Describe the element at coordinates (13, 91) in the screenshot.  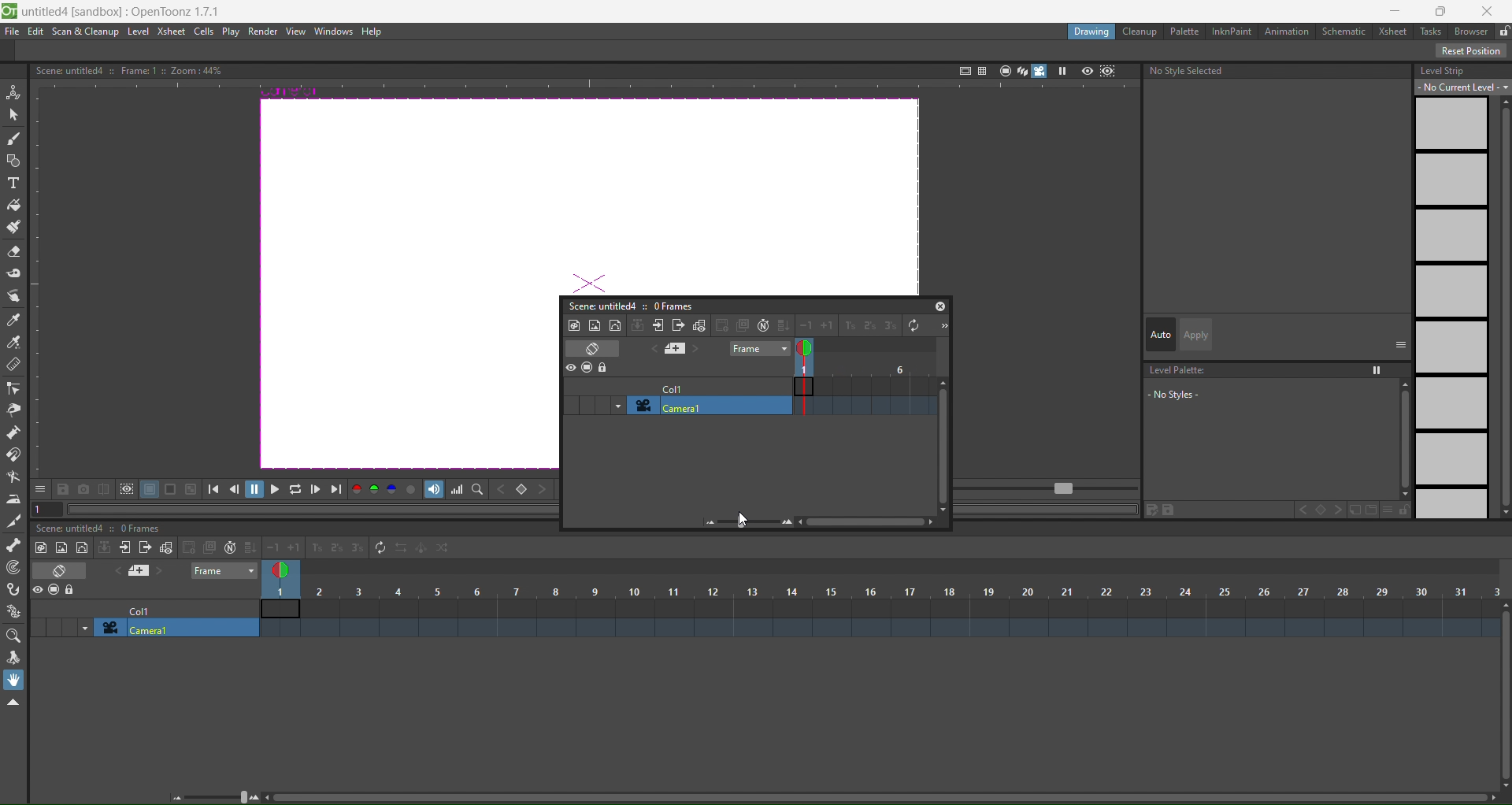
I see `animation tool` at that location.